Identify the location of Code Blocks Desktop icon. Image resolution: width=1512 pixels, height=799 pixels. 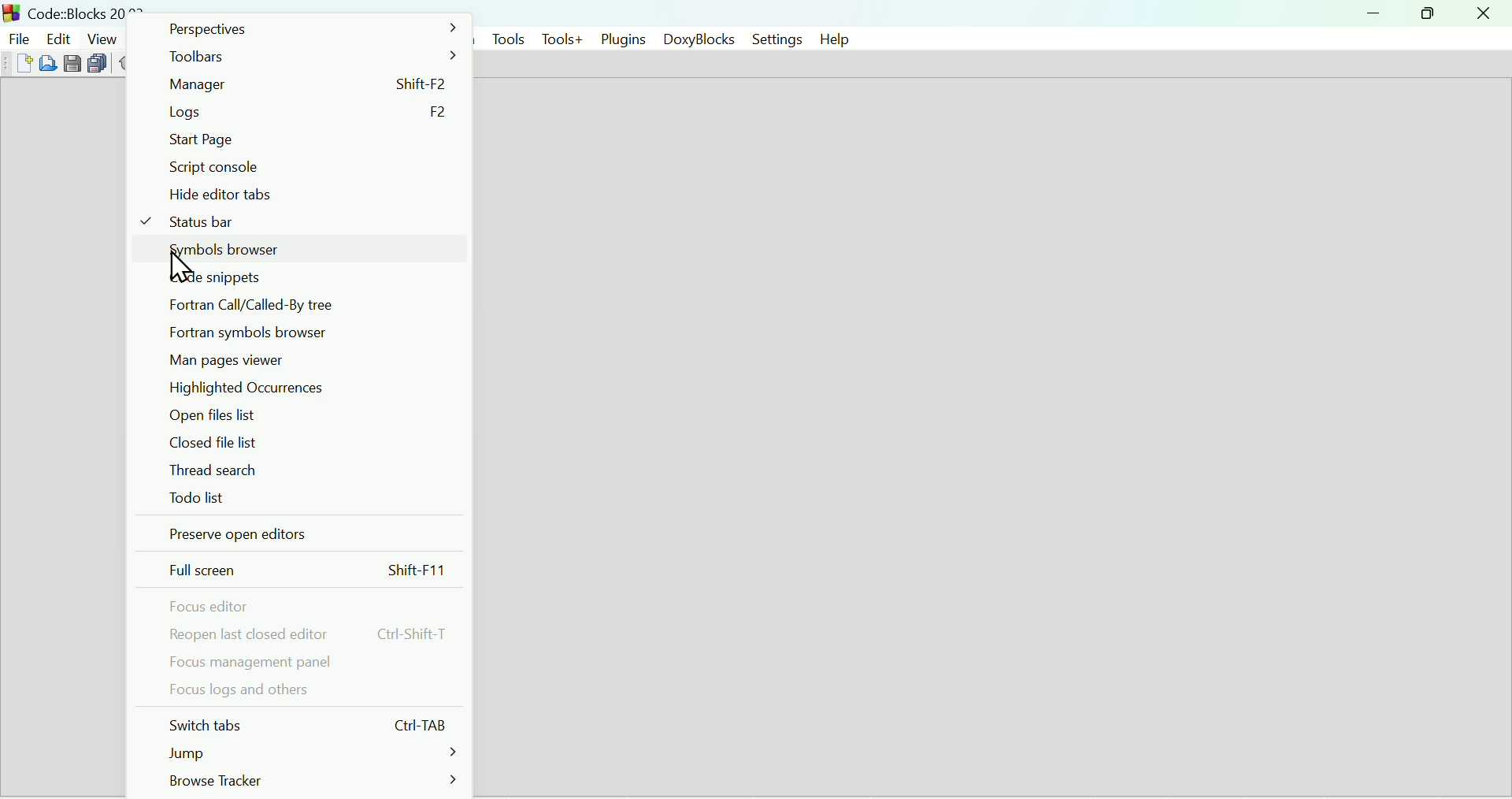
(13, 12).